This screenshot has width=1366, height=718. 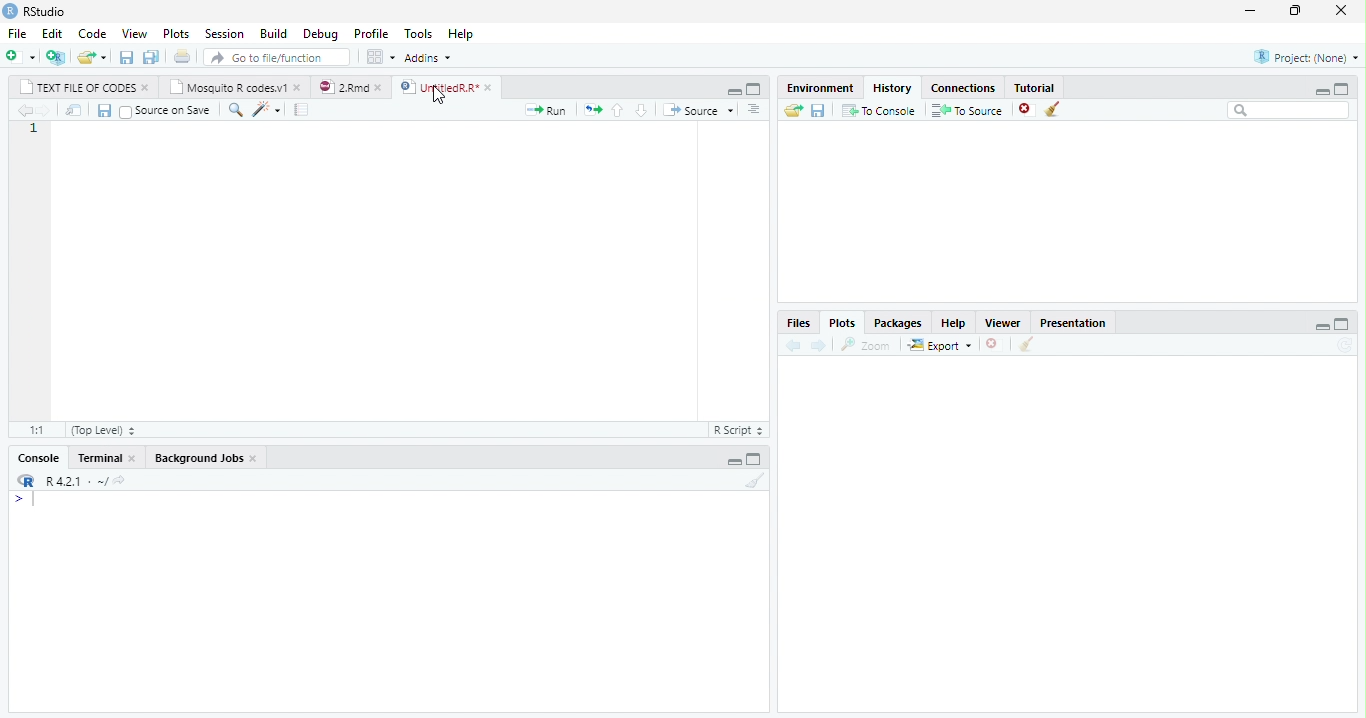 I want to click on packages, so click(x=898, y=321).